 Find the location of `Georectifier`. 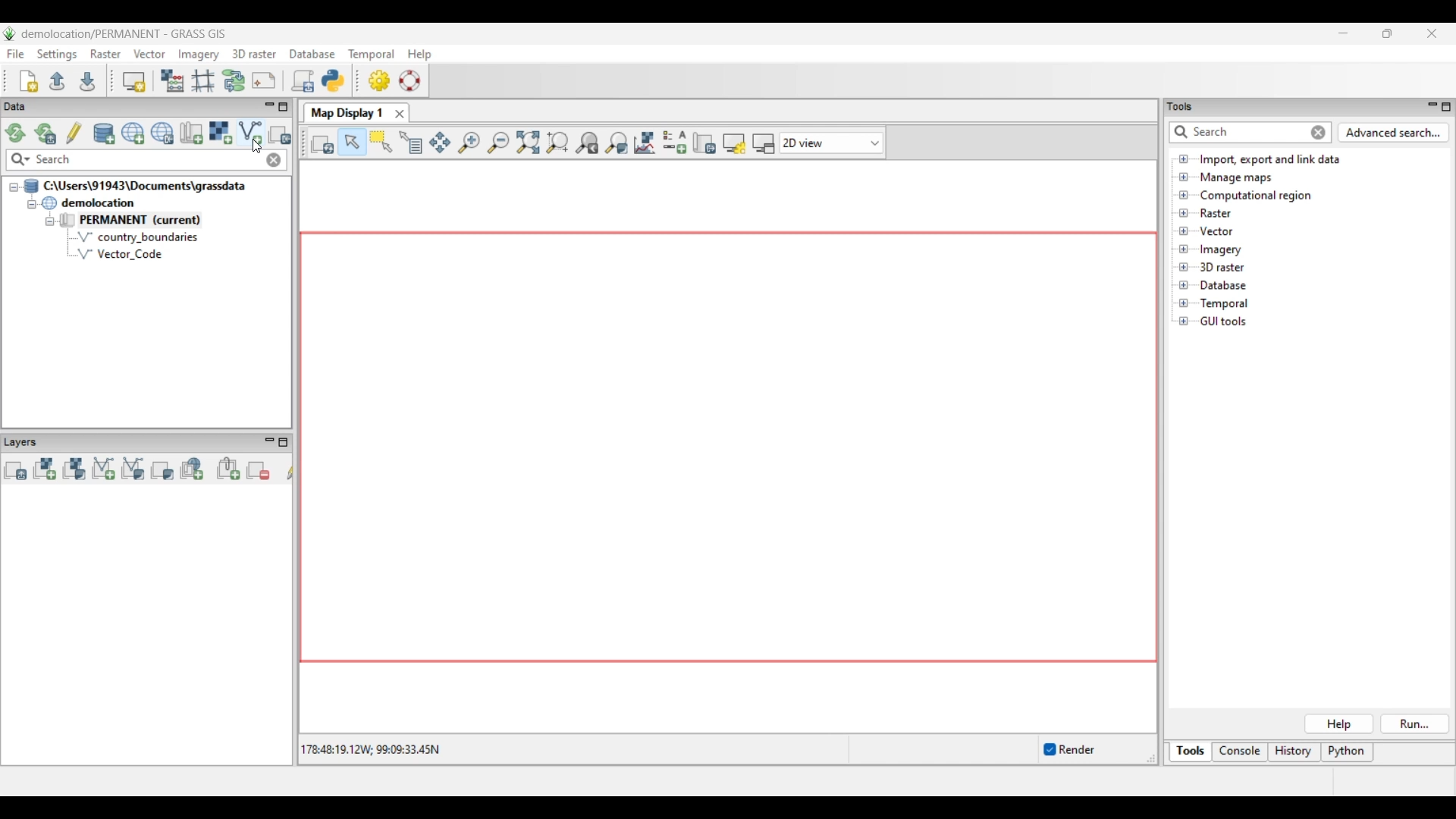

Georectifier is located at coordinates (203, 81).